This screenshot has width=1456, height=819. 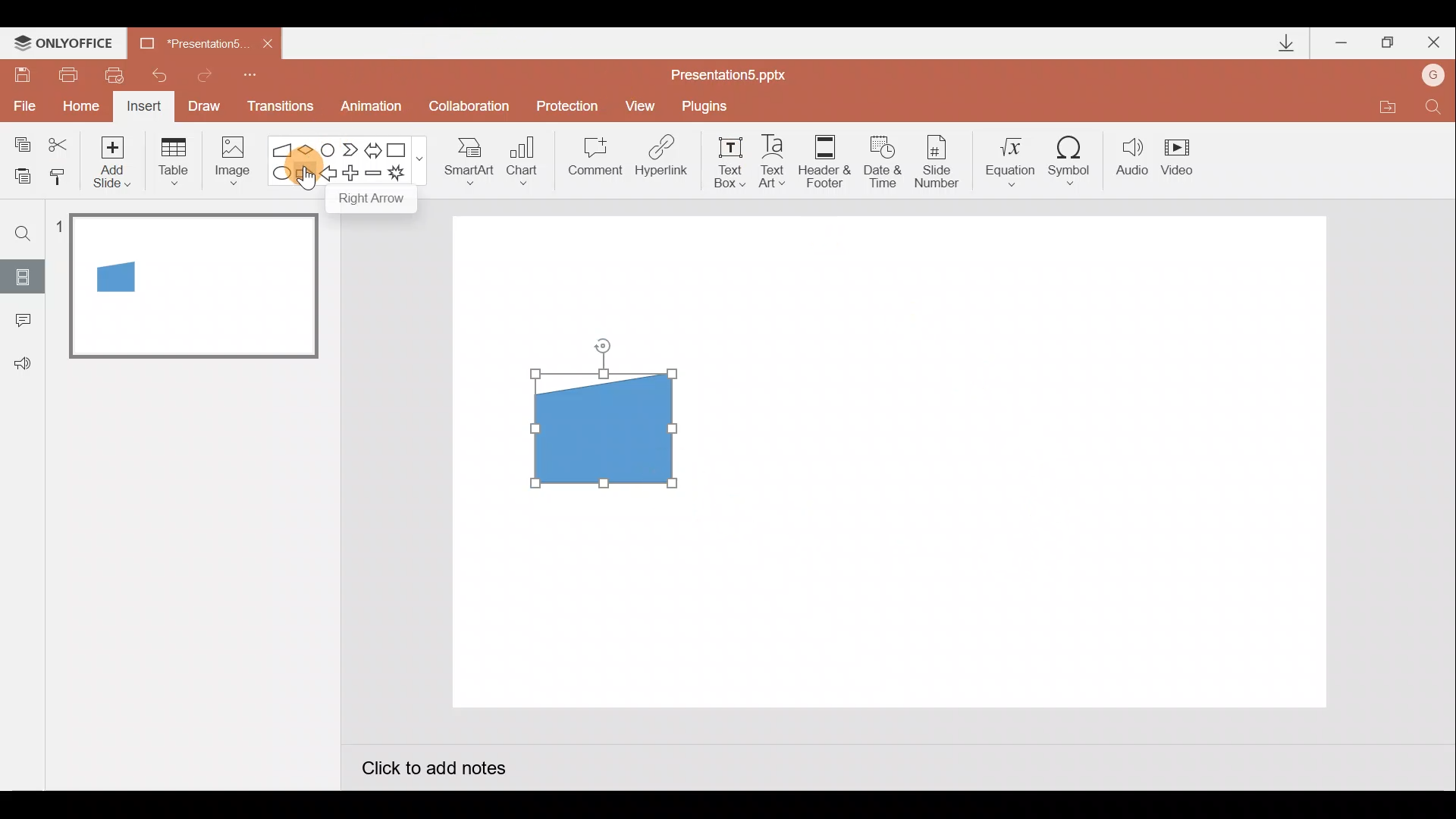 I want to click on Copy, so click(x=20, y=142).